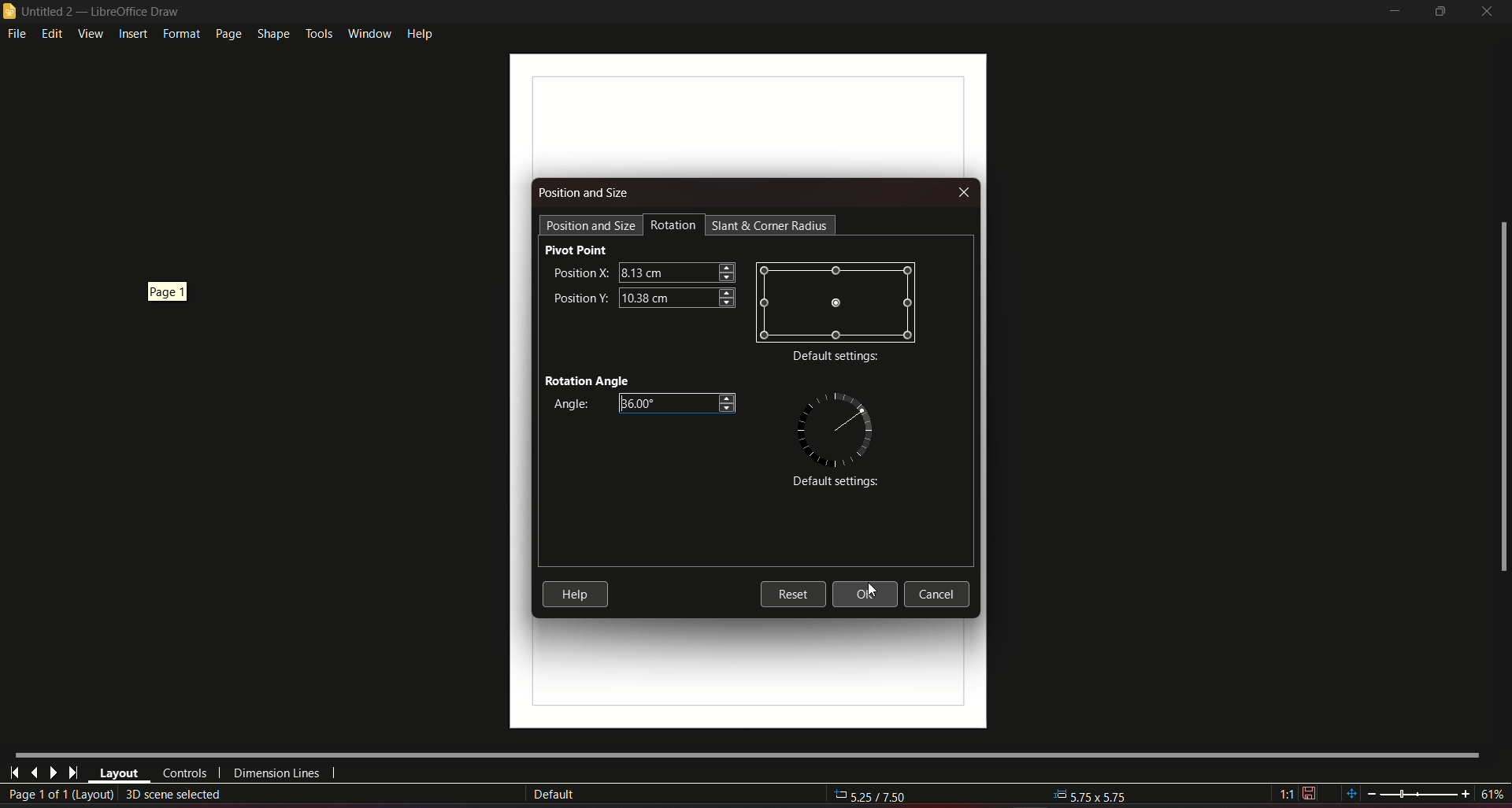  What do you see at coordinates (962, 193) in the screenshot?
I see `Close` at bounding box center [962, 193].